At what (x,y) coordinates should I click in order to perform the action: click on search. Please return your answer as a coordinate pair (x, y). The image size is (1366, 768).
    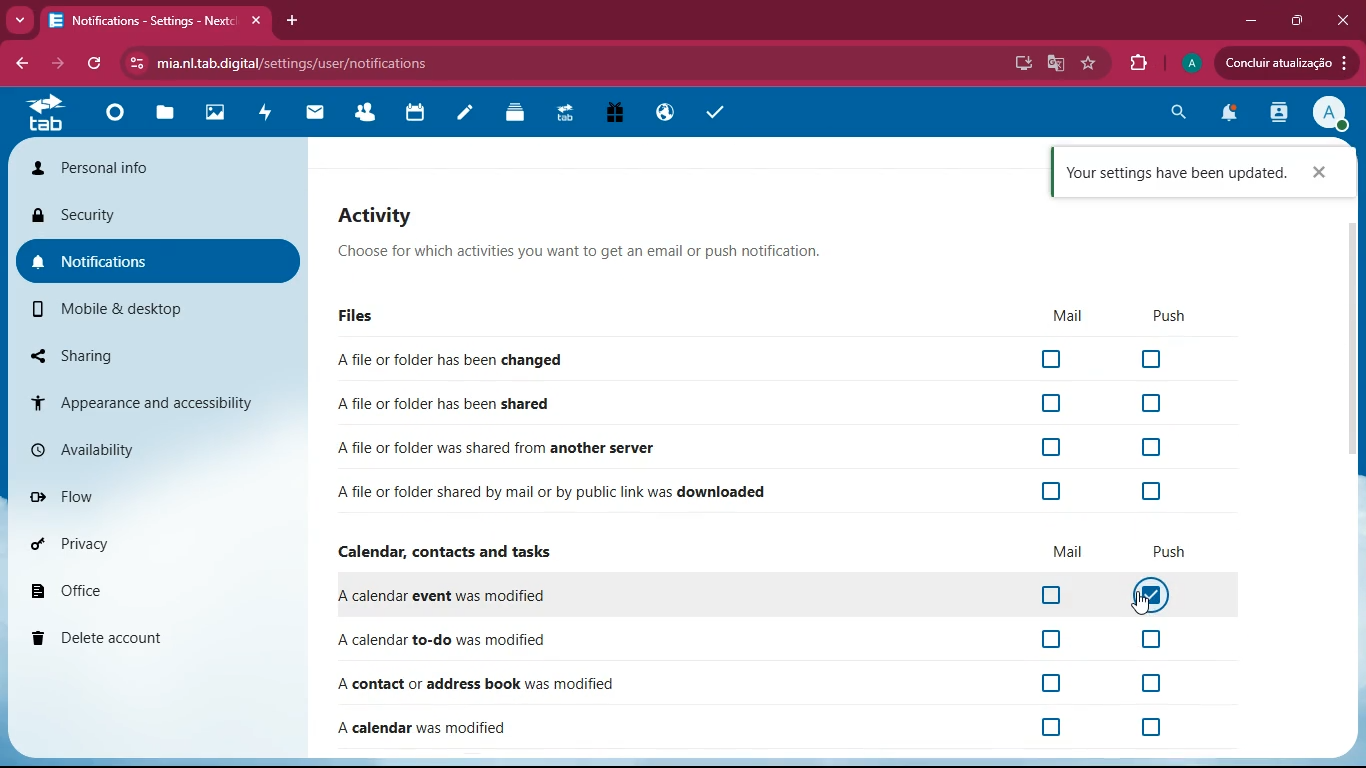
    Looking at the image, I should click on (1182, 112).